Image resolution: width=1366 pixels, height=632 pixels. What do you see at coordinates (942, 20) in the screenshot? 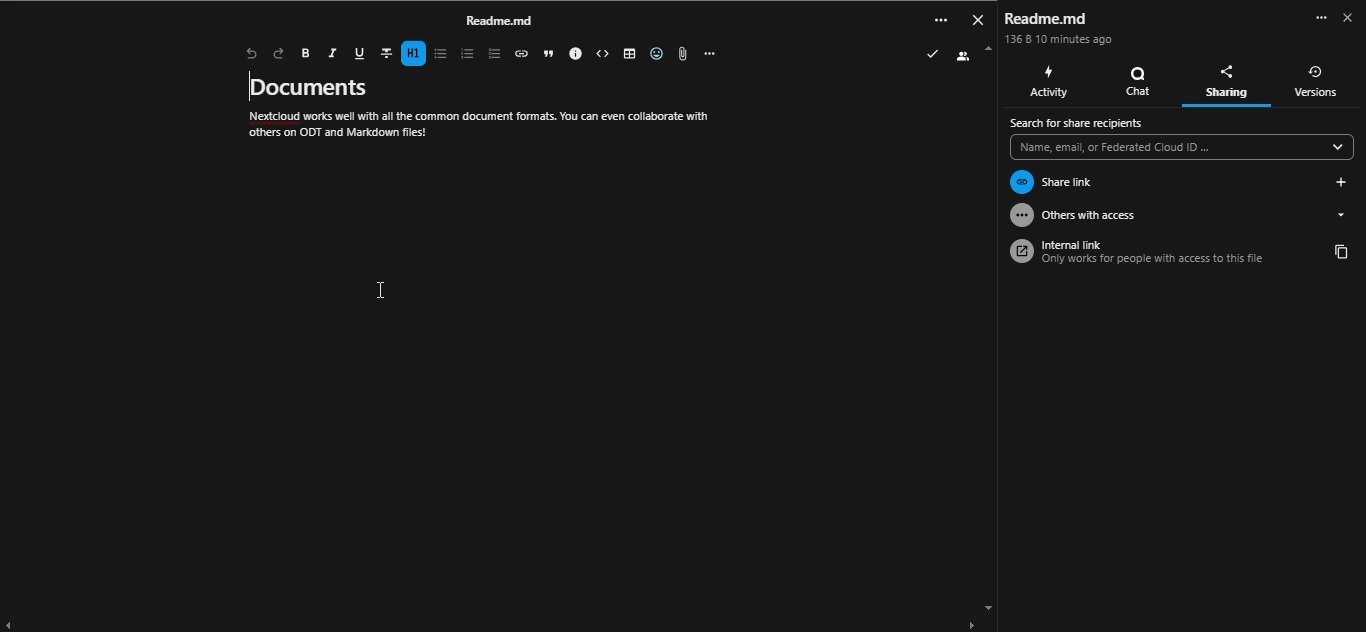
I see `more` at bounding box center [942, 20].